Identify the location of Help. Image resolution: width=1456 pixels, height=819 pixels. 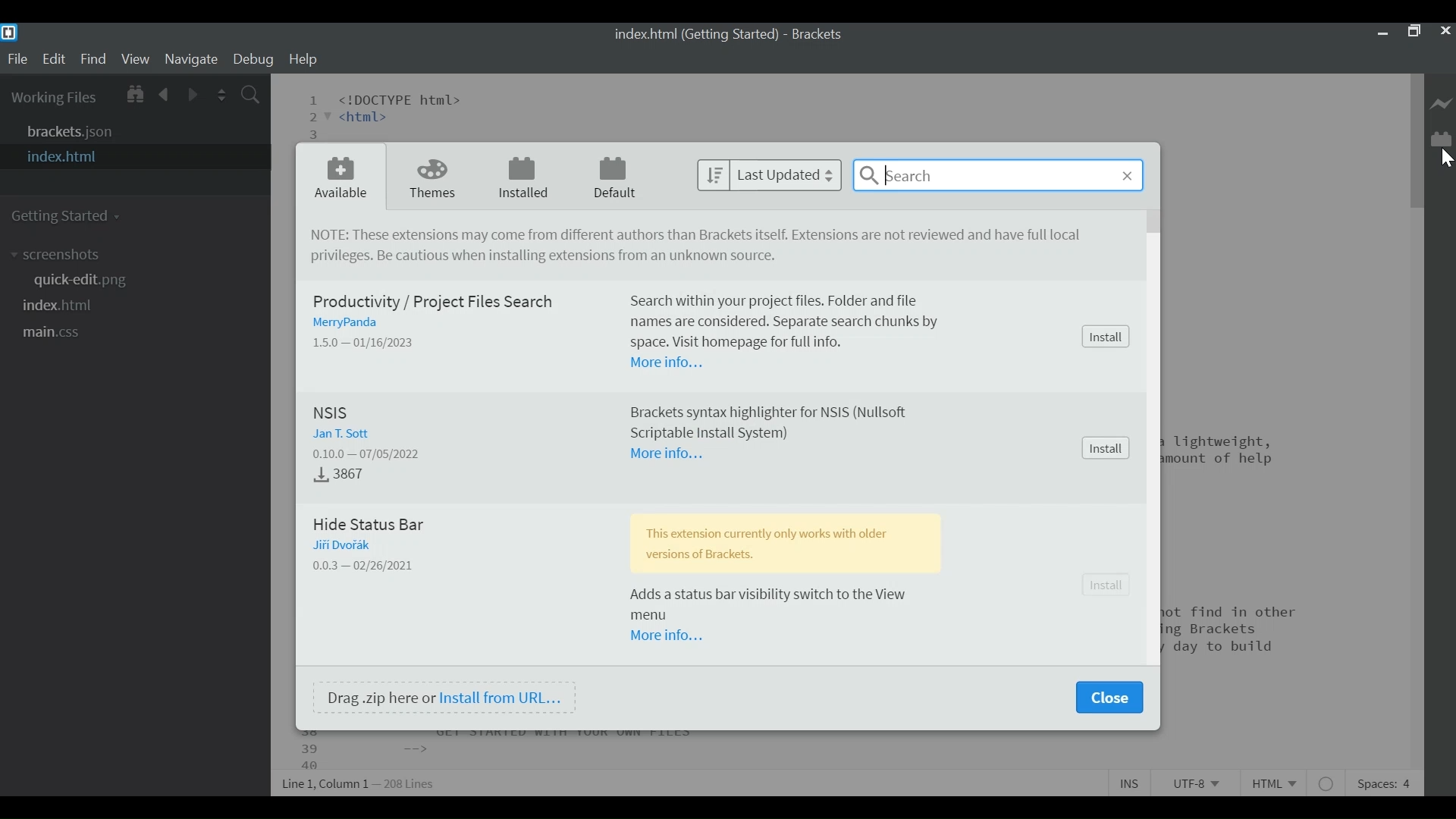
(303, 60).